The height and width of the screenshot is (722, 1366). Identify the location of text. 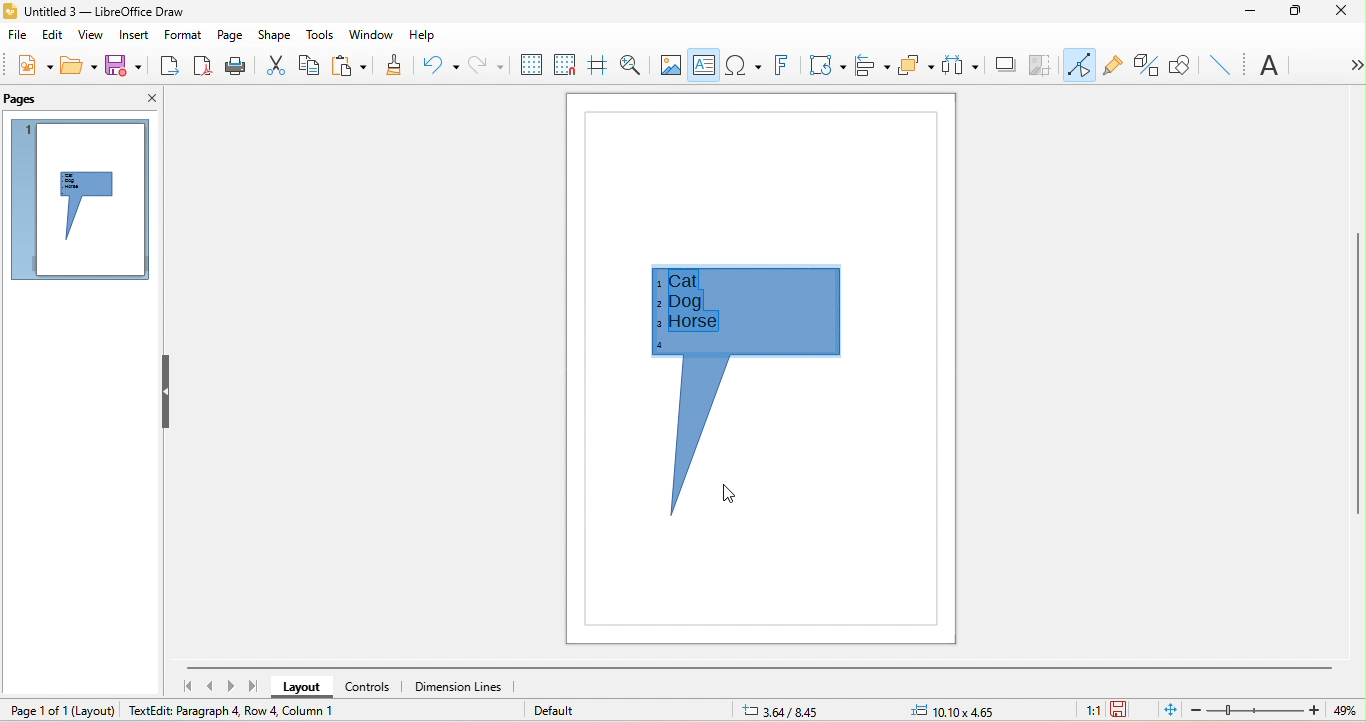
(1272, 67).